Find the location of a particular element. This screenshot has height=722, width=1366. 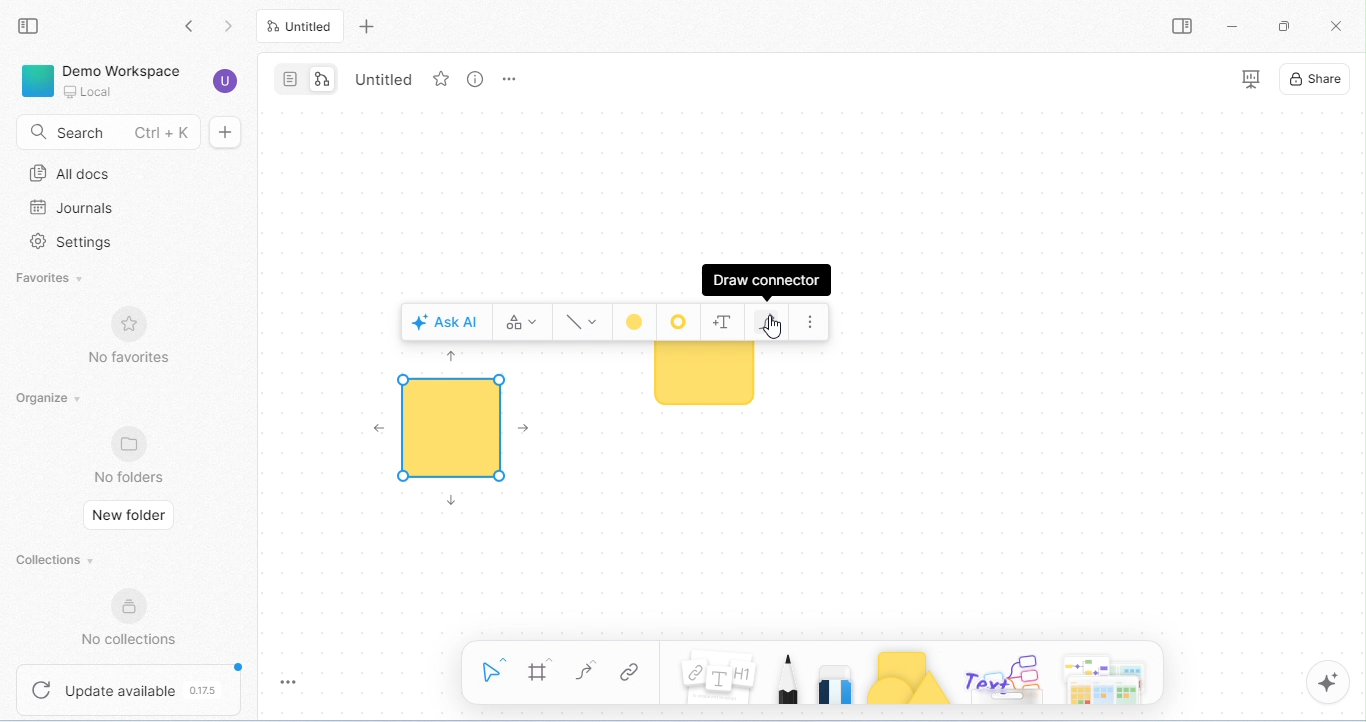

close is located at coordinates (1339, 26).